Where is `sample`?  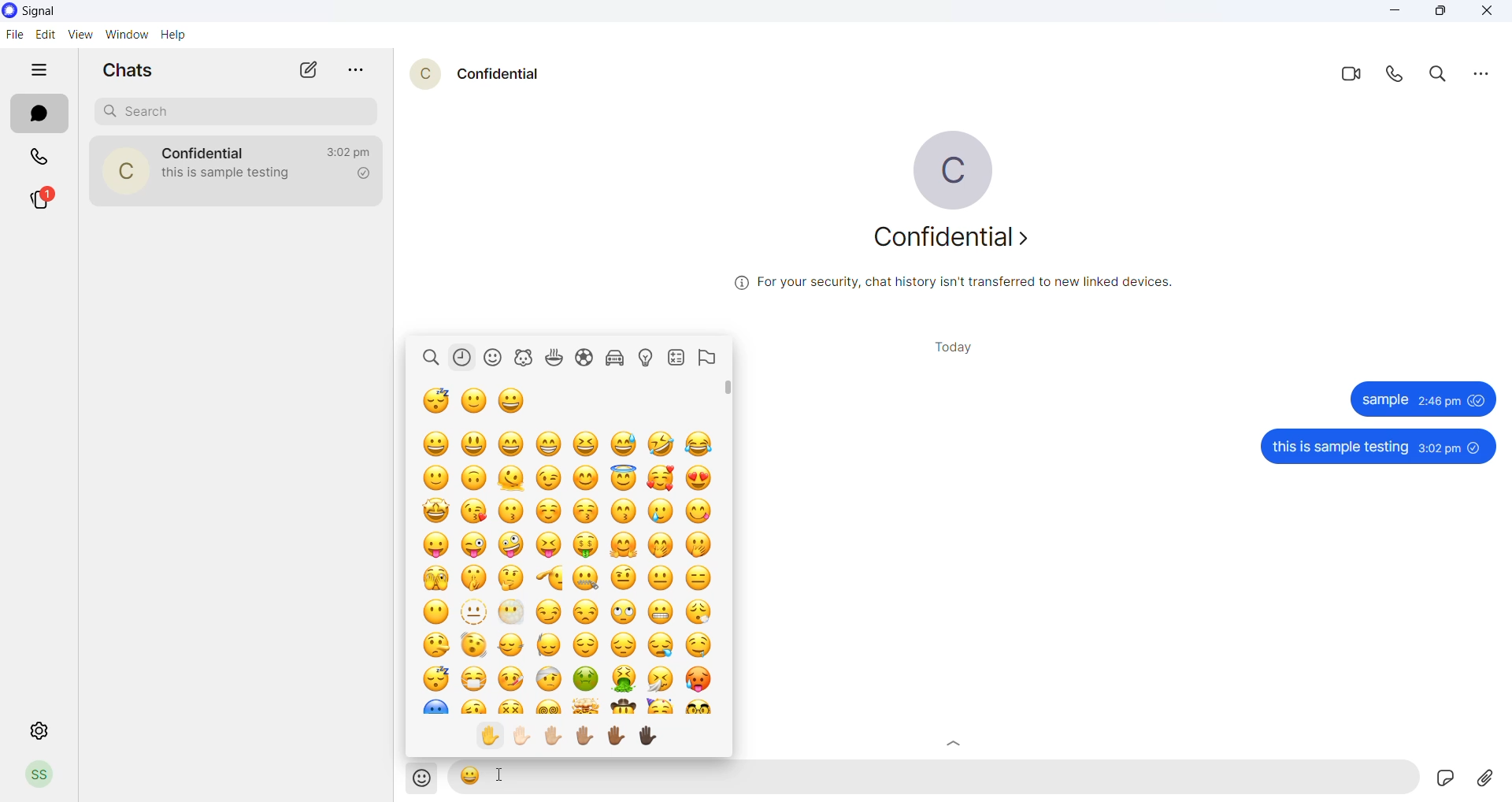
sample is located at coordinates (1384, 399).